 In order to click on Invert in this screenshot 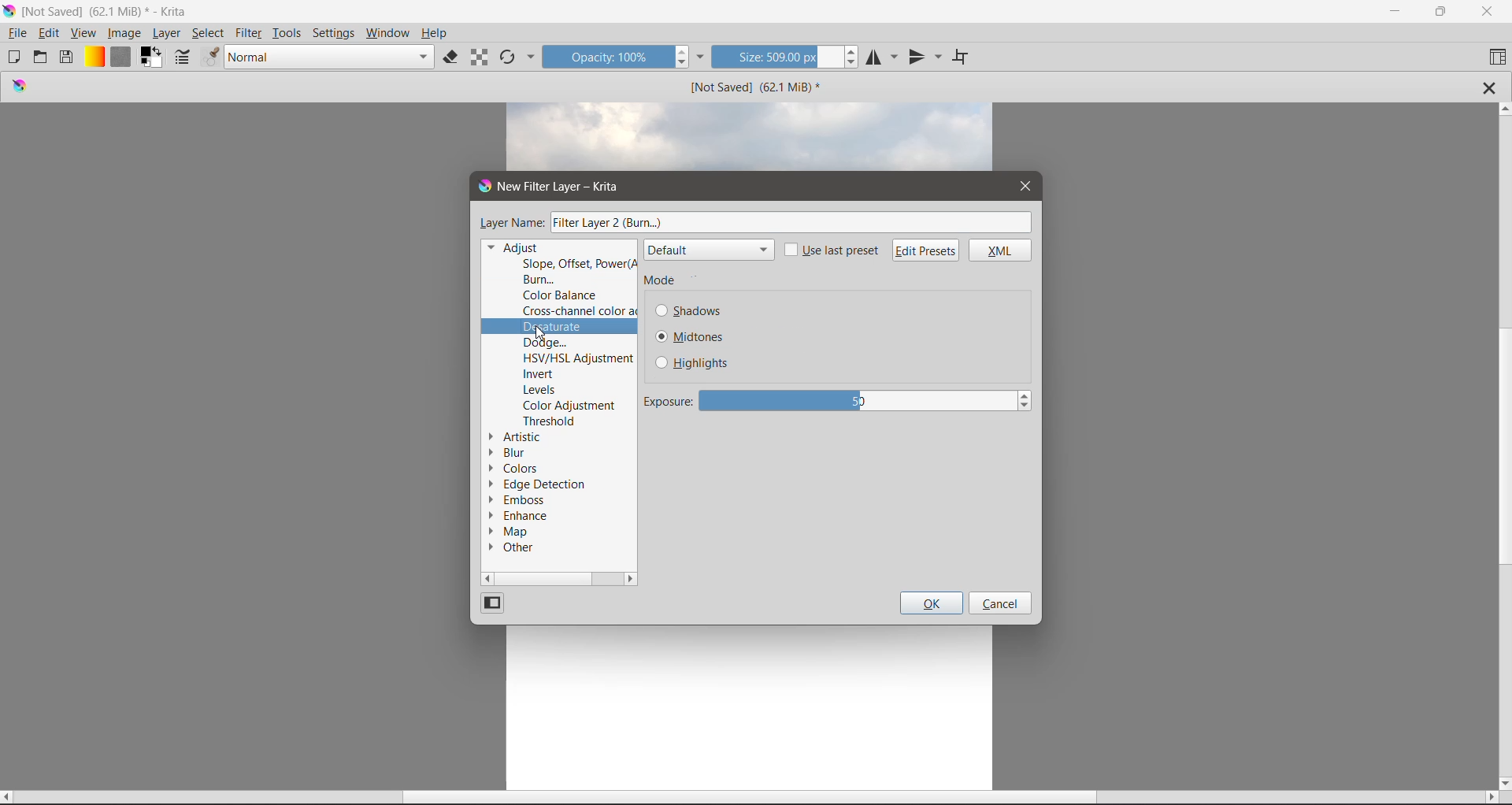, I will do `click(539, 374)`.